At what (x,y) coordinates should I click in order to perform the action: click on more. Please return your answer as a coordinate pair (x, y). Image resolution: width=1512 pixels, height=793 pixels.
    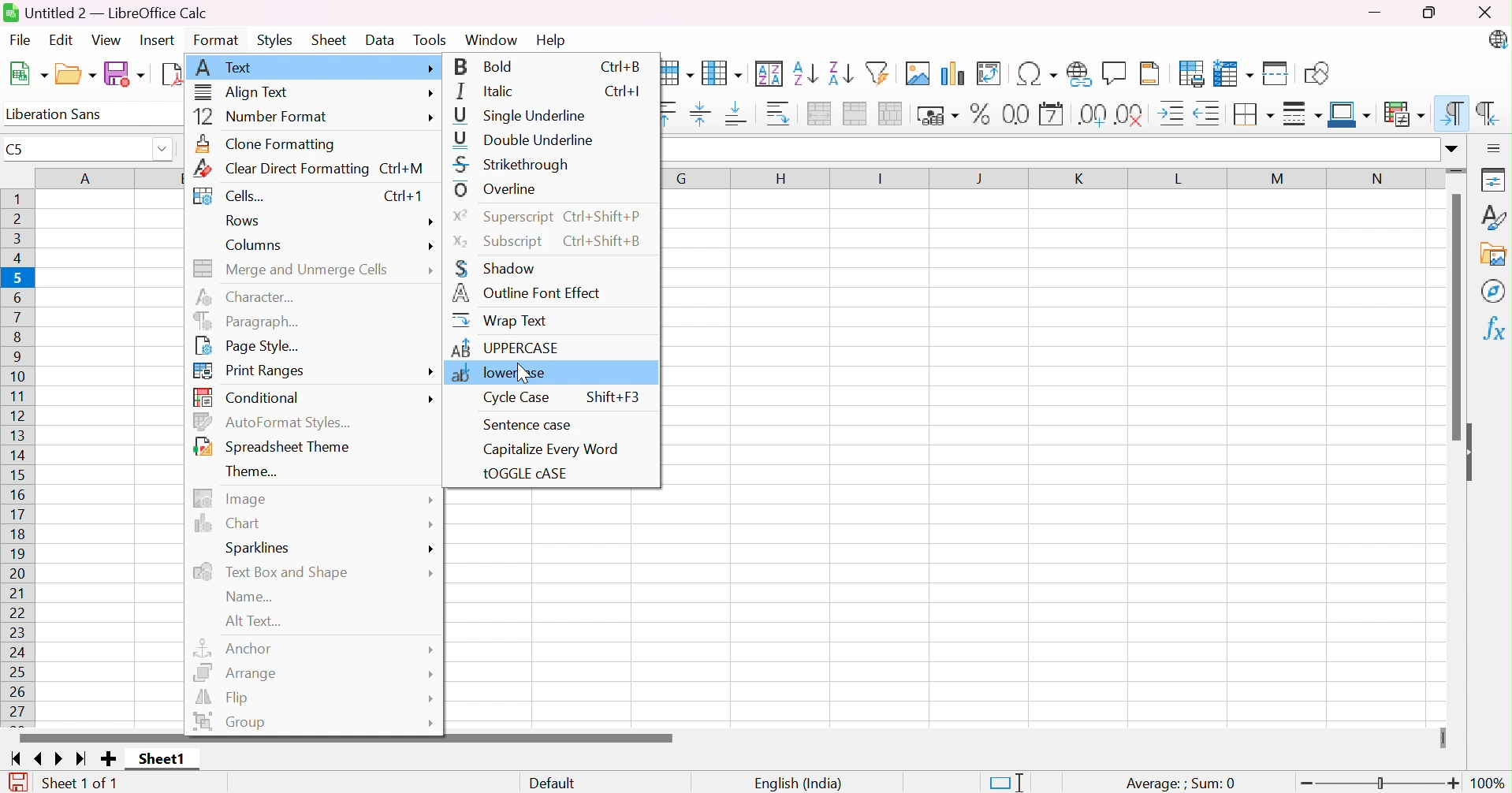
    Looking at the image, I should click on (430, 248).